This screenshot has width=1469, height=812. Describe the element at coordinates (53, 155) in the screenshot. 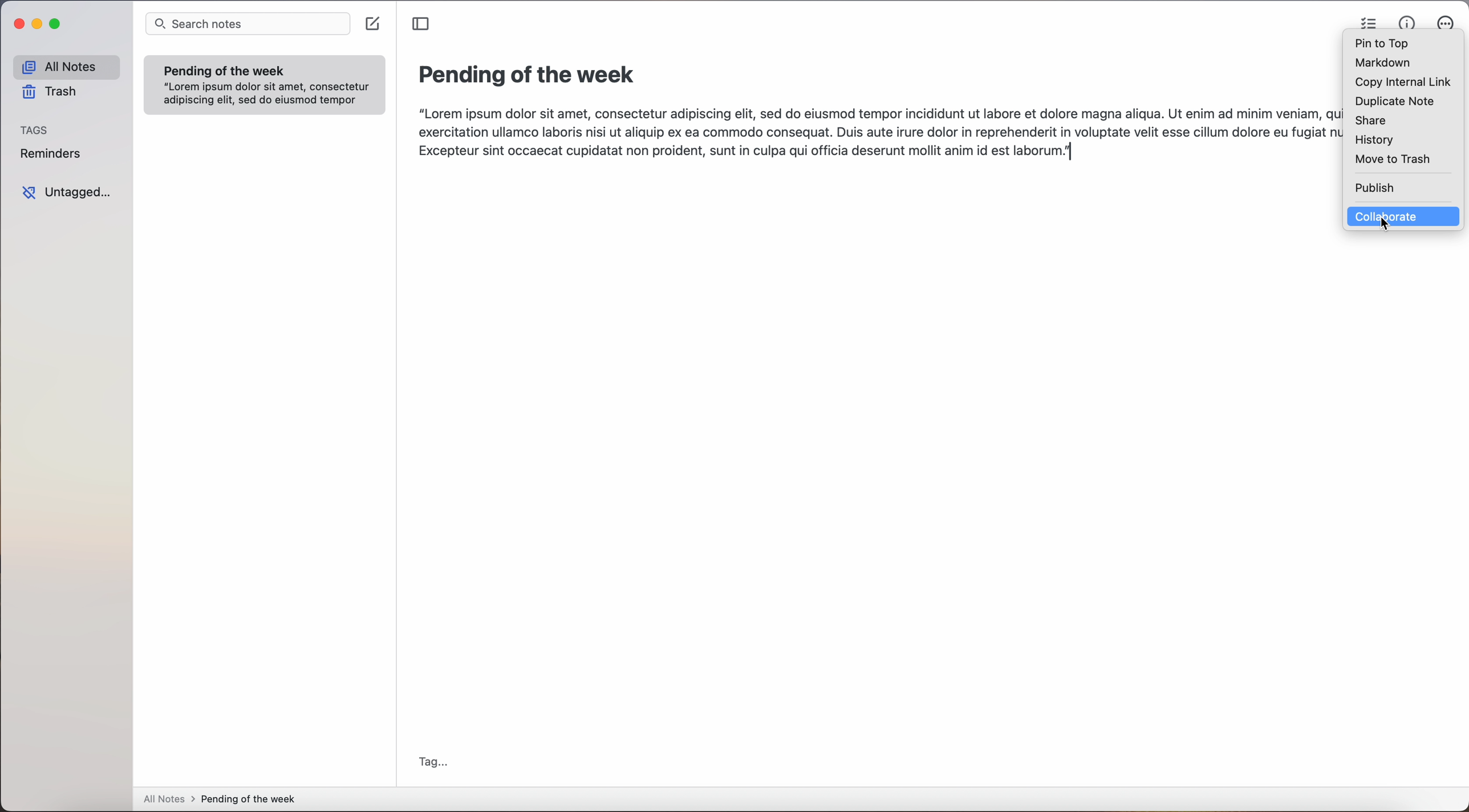

I see `reminders` at that location.